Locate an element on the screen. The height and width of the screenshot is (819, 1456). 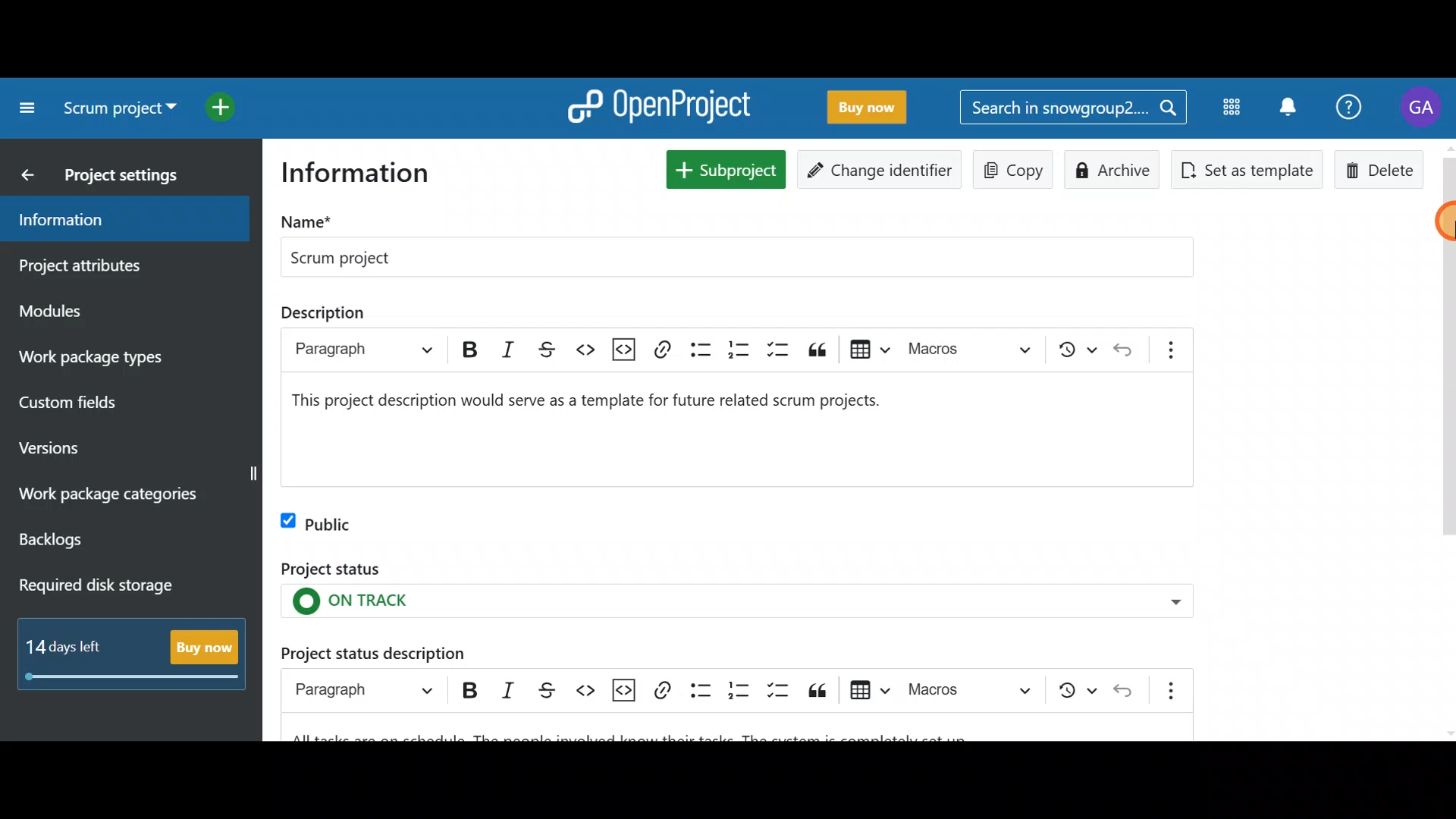
Insert code snippet is located at coordinates (623, 689).